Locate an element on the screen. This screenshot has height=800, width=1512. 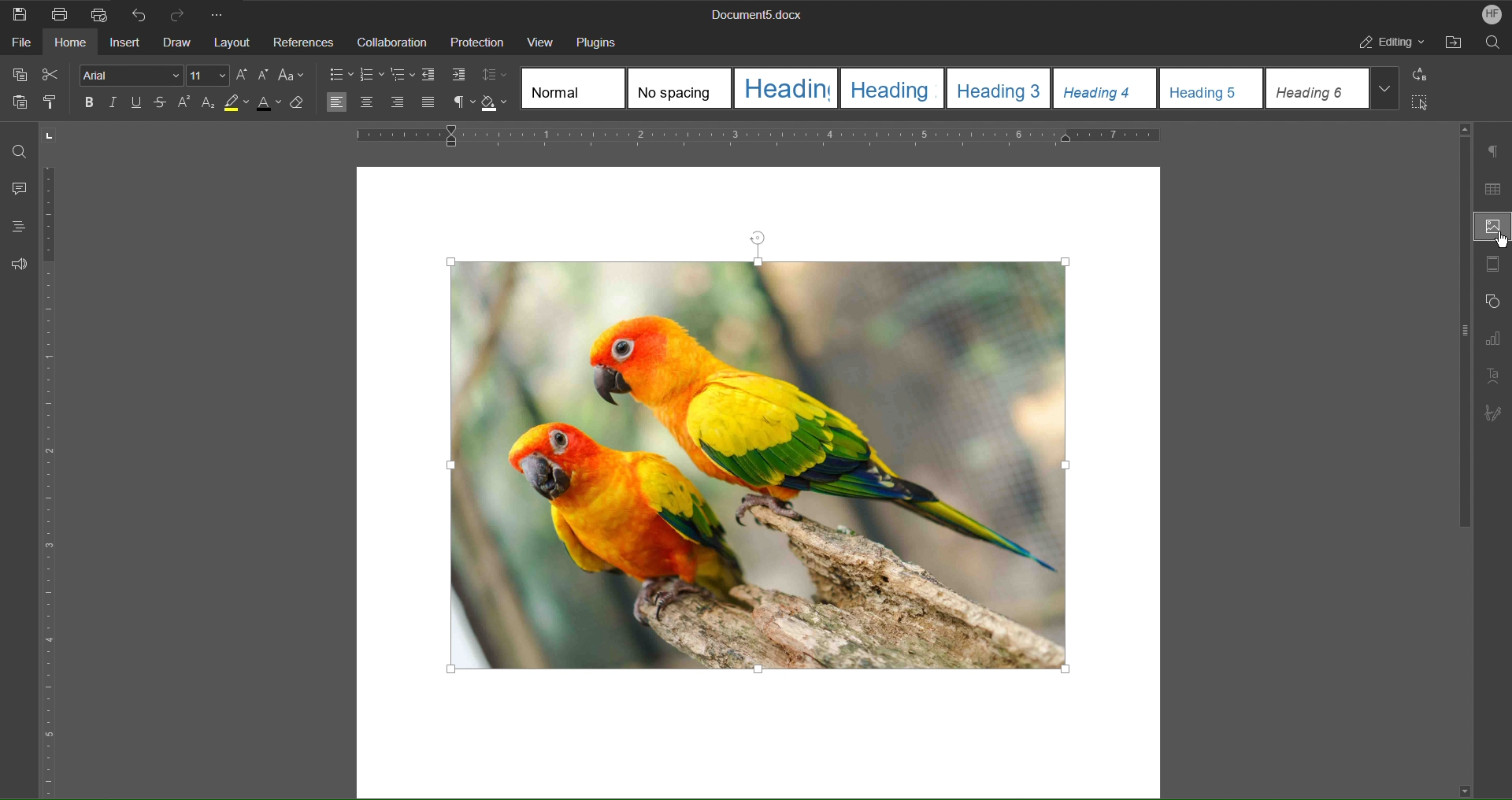
Horizontal Ruler is located at coordinates (760, 136).